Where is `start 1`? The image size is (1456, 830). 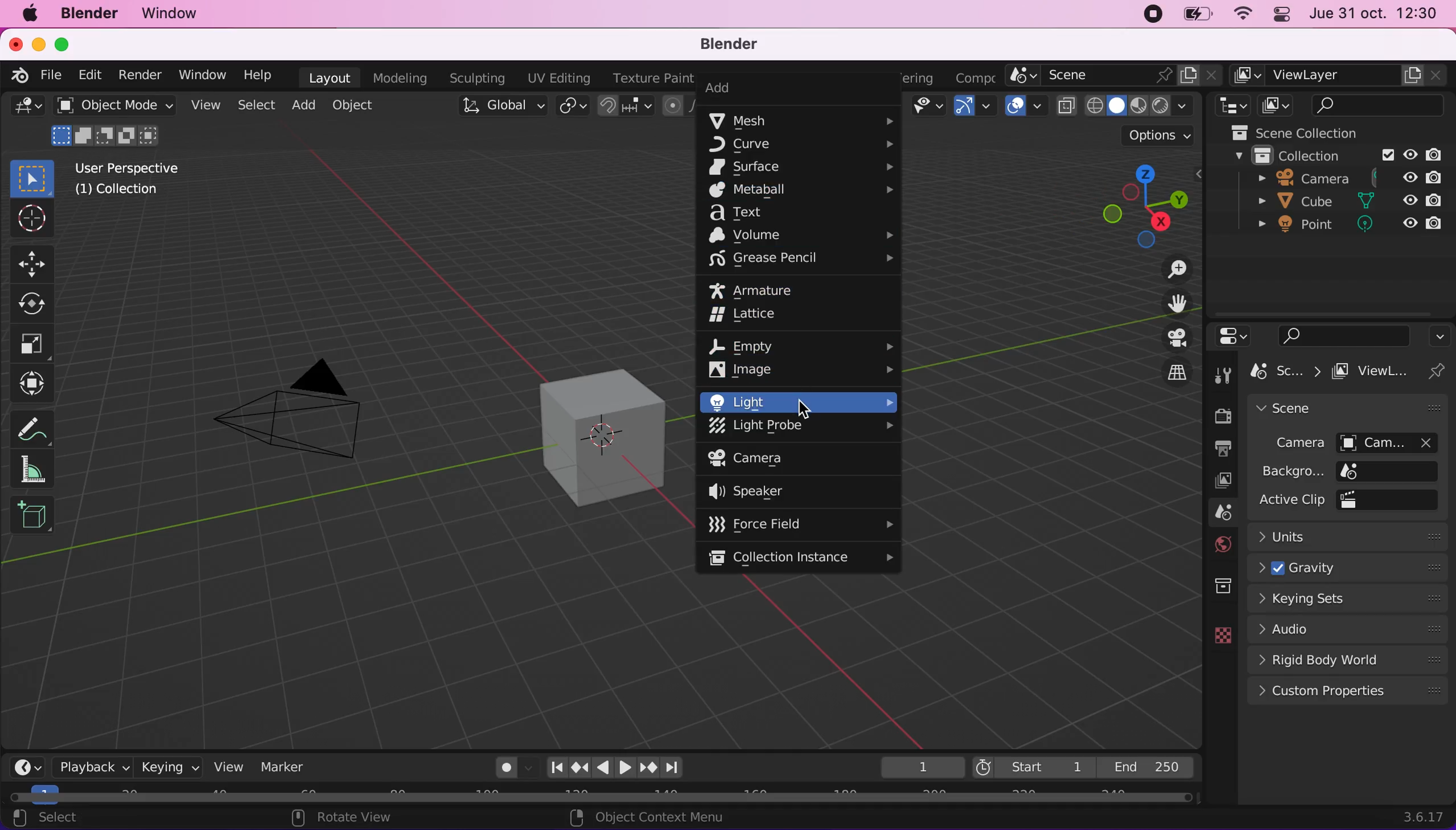
start 1 is located at coordinates (1034, 766).